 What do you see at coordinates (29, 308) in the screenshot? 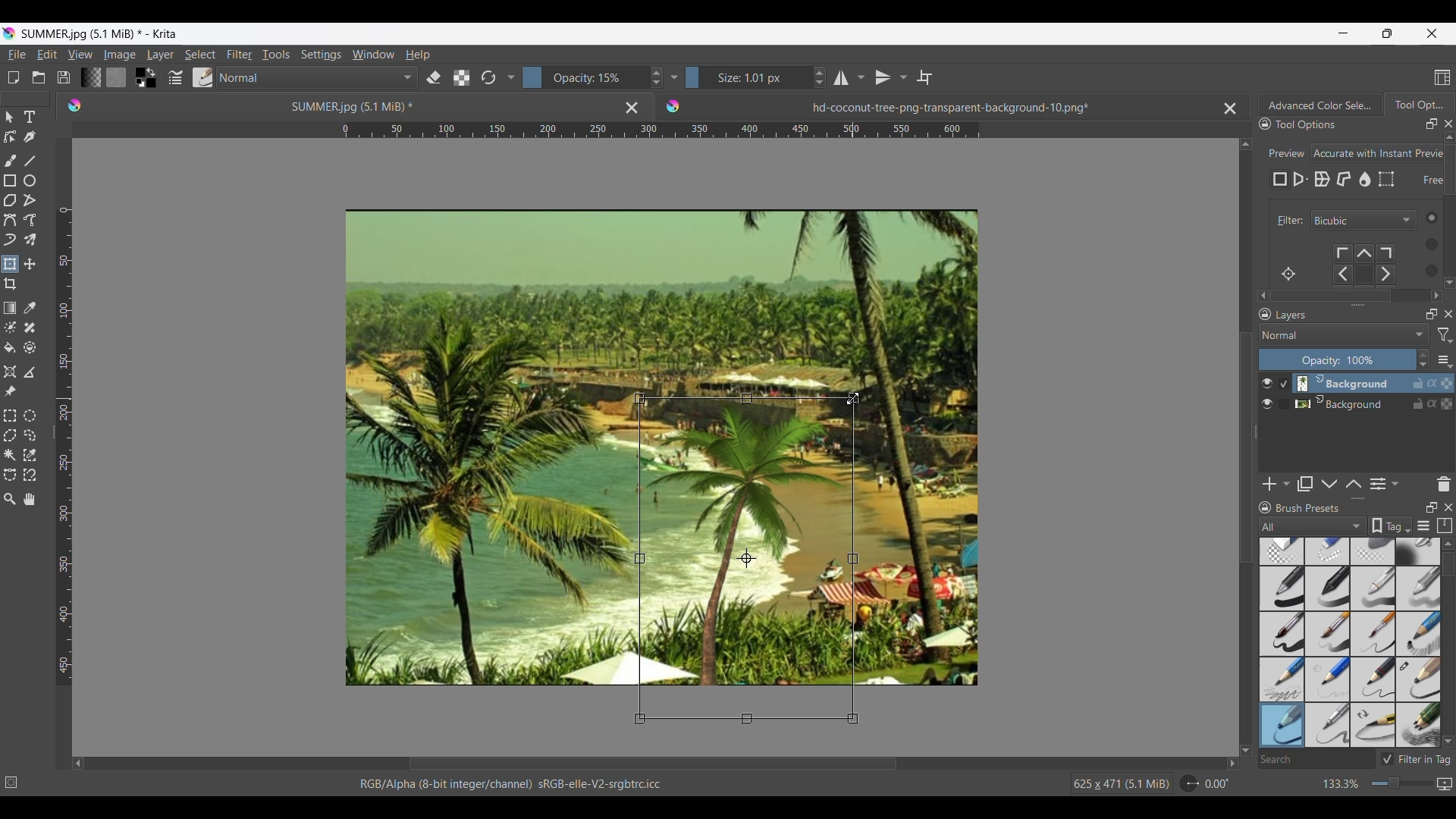
I see `Color picker tool` at bounding box center [29, 308].